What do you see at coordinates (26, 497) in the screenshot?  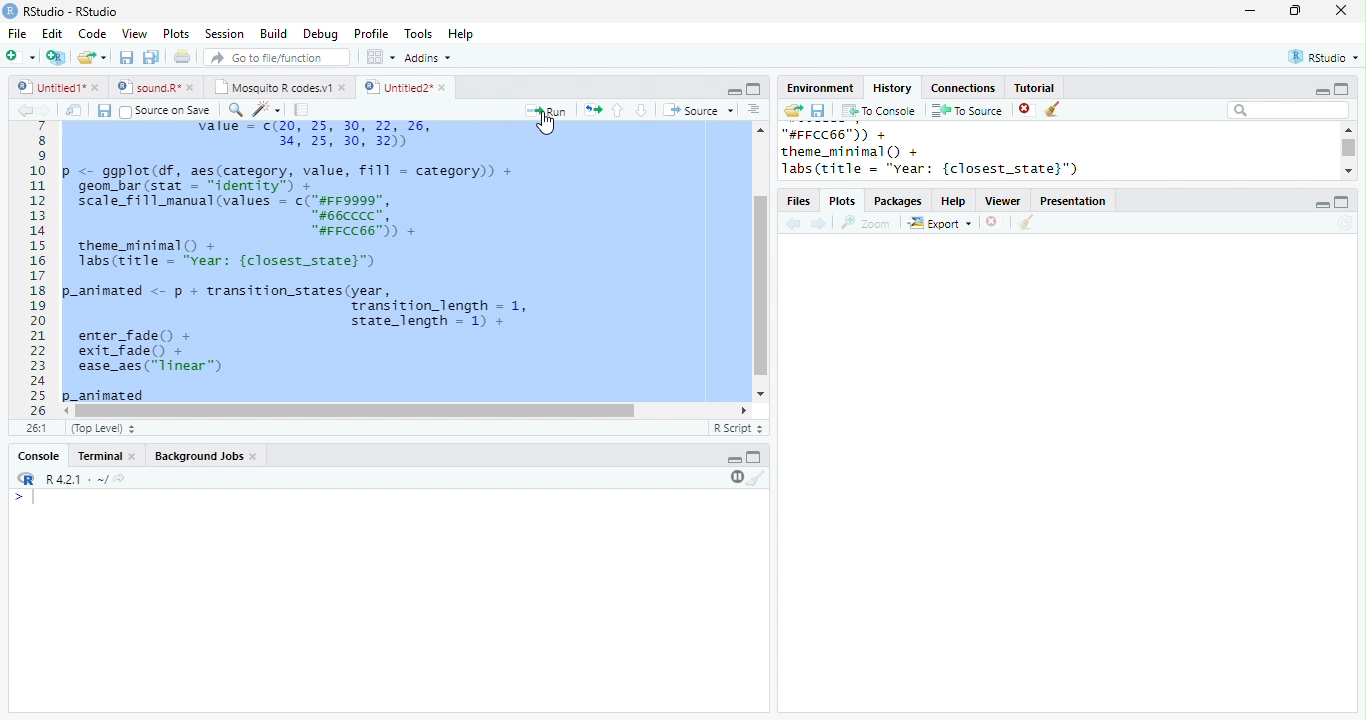 I see `start typing` at bounding box center [26, 497].